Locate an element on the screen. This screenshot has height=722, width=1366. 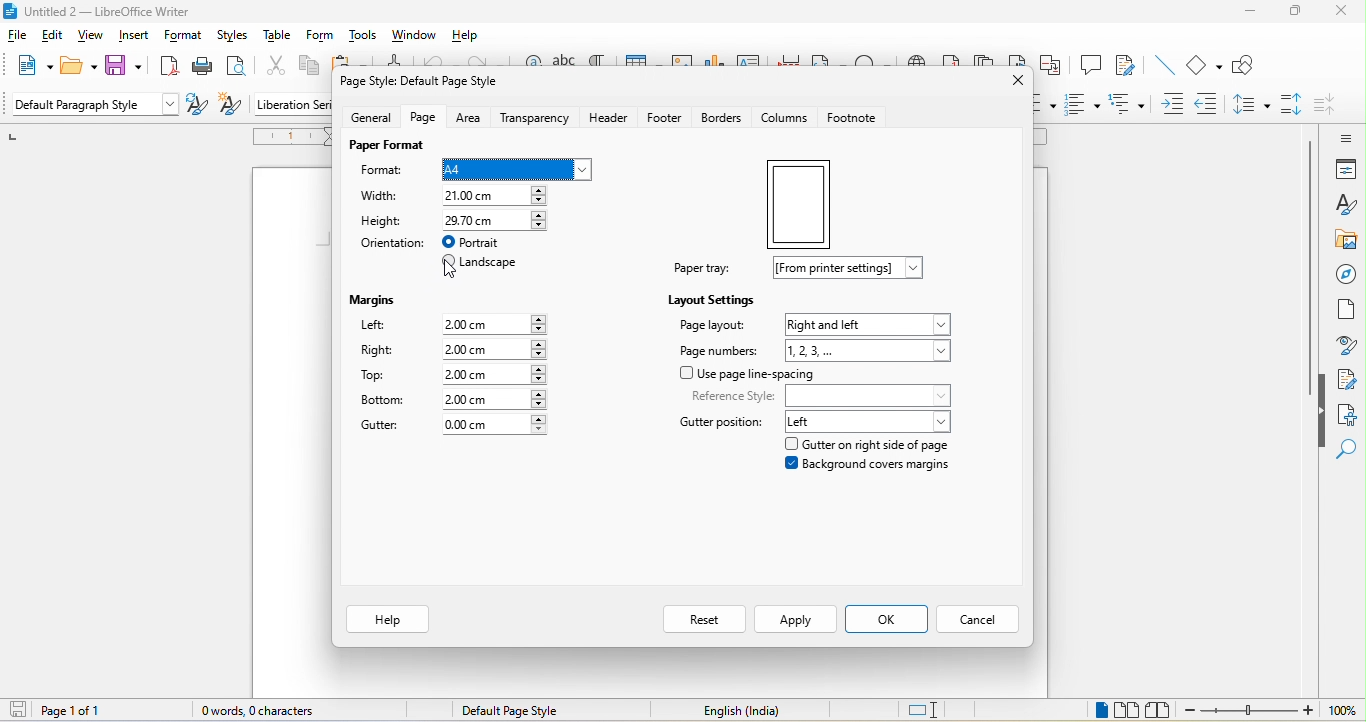
English (India) is located at coordinates (742, 712).